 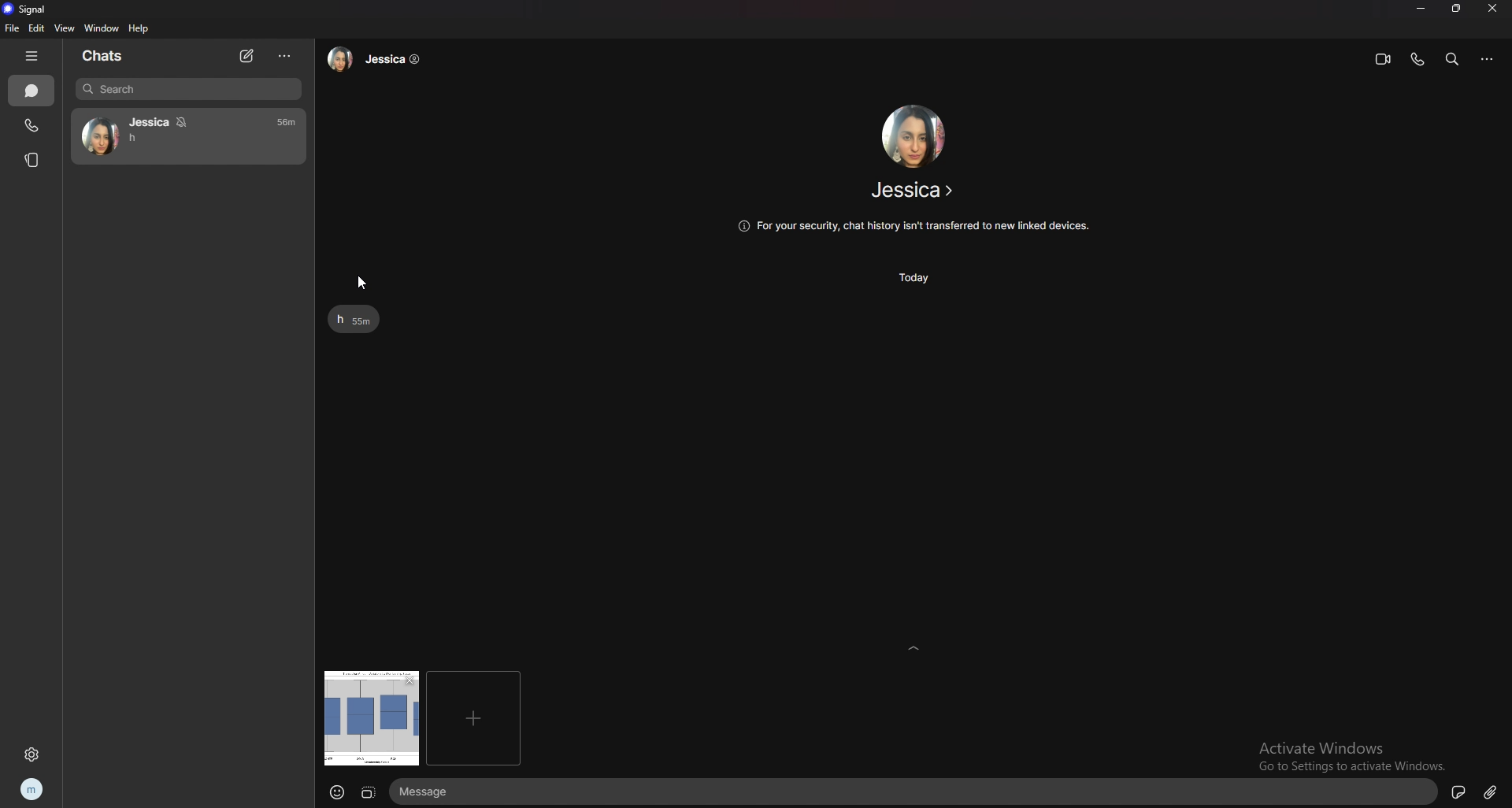 I want to click on contact, so click(x=378, y=59).